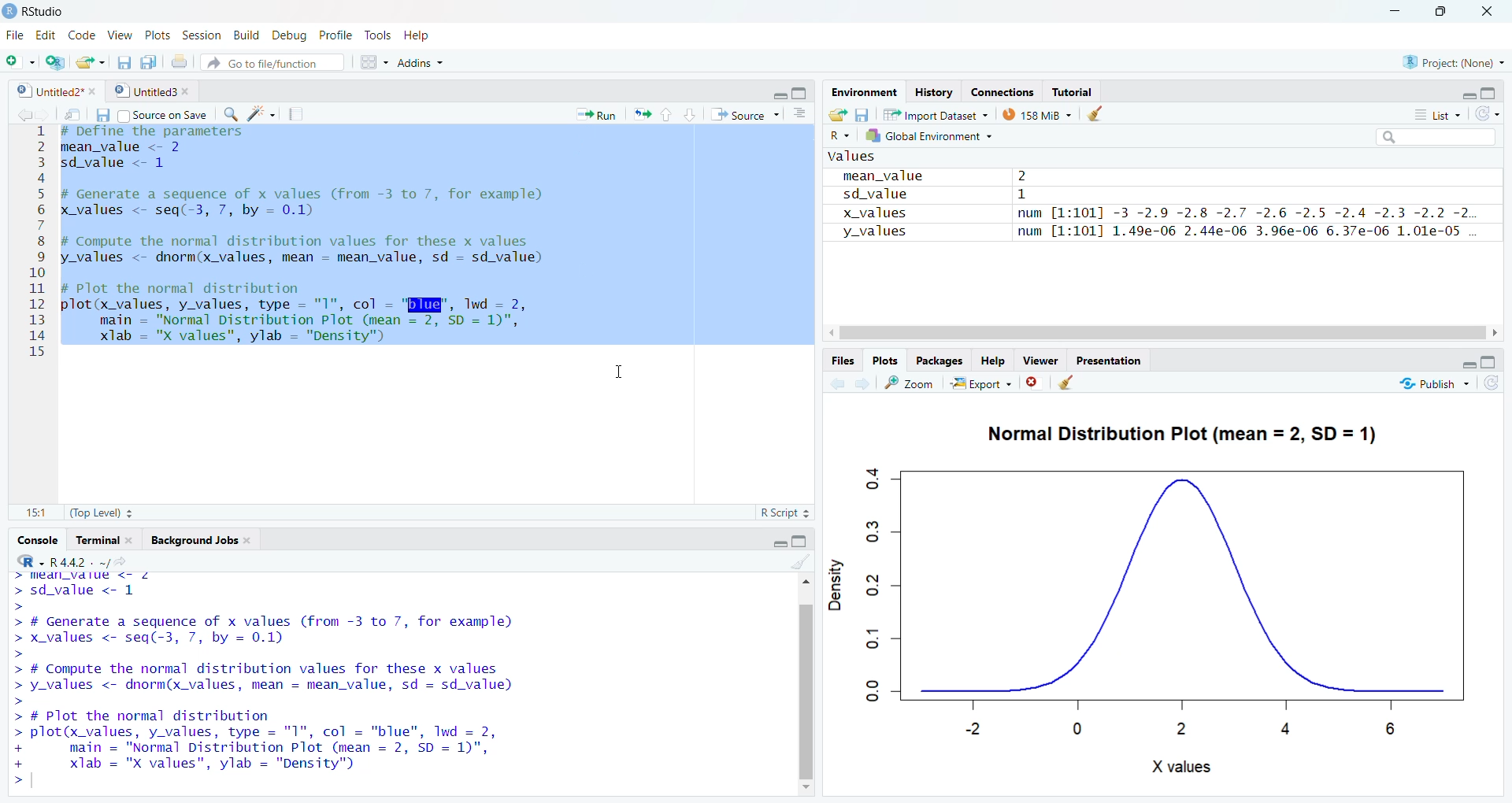 This screenshot has height=803, width=1512. What do you see at coordinates (937, 360) in the screenshot?
I see `Packages` at bounding box center [937, 360].